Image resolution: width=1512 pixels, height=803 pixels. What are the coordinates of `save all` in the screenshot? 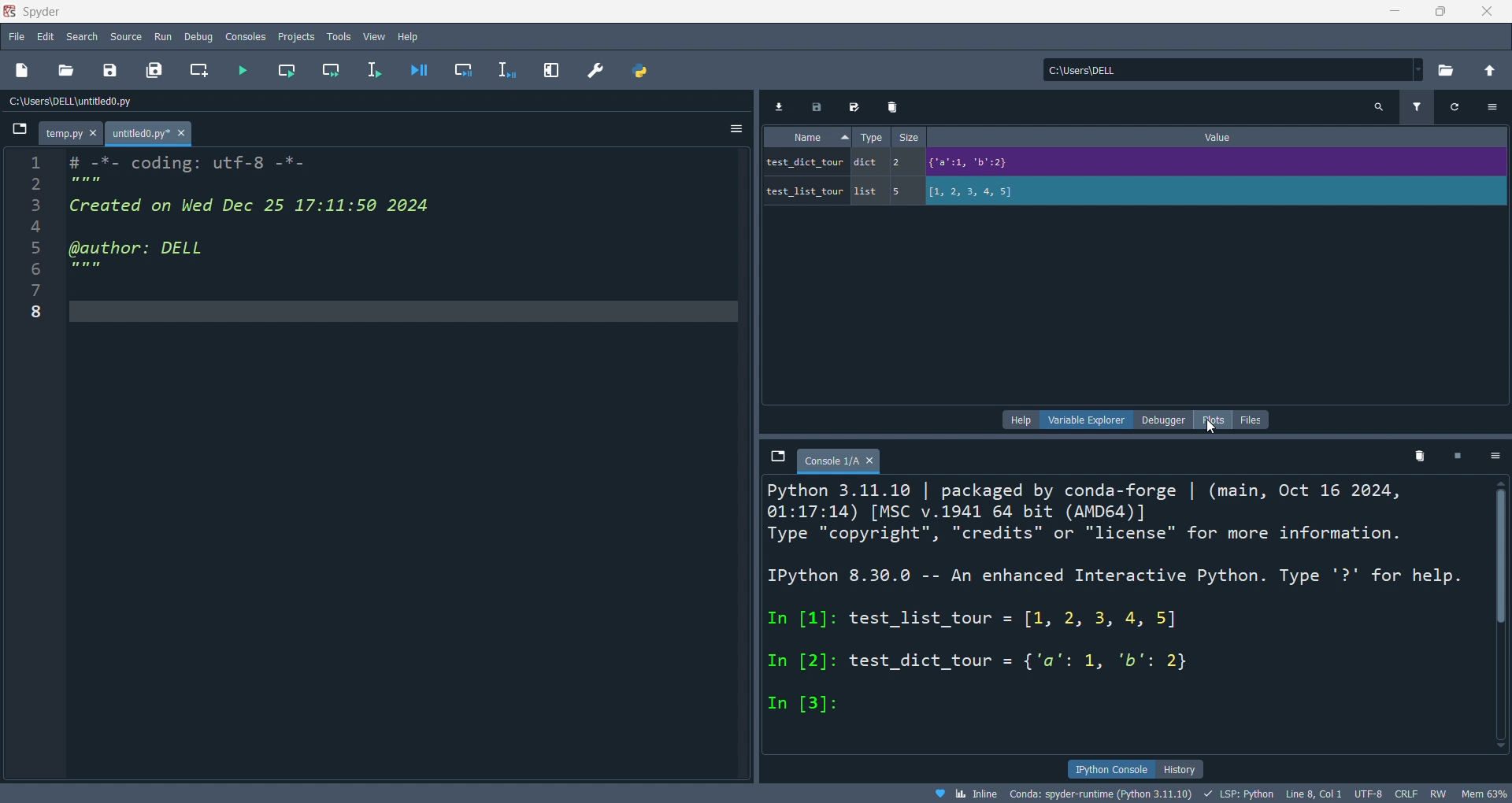 It's located at (155, 71).